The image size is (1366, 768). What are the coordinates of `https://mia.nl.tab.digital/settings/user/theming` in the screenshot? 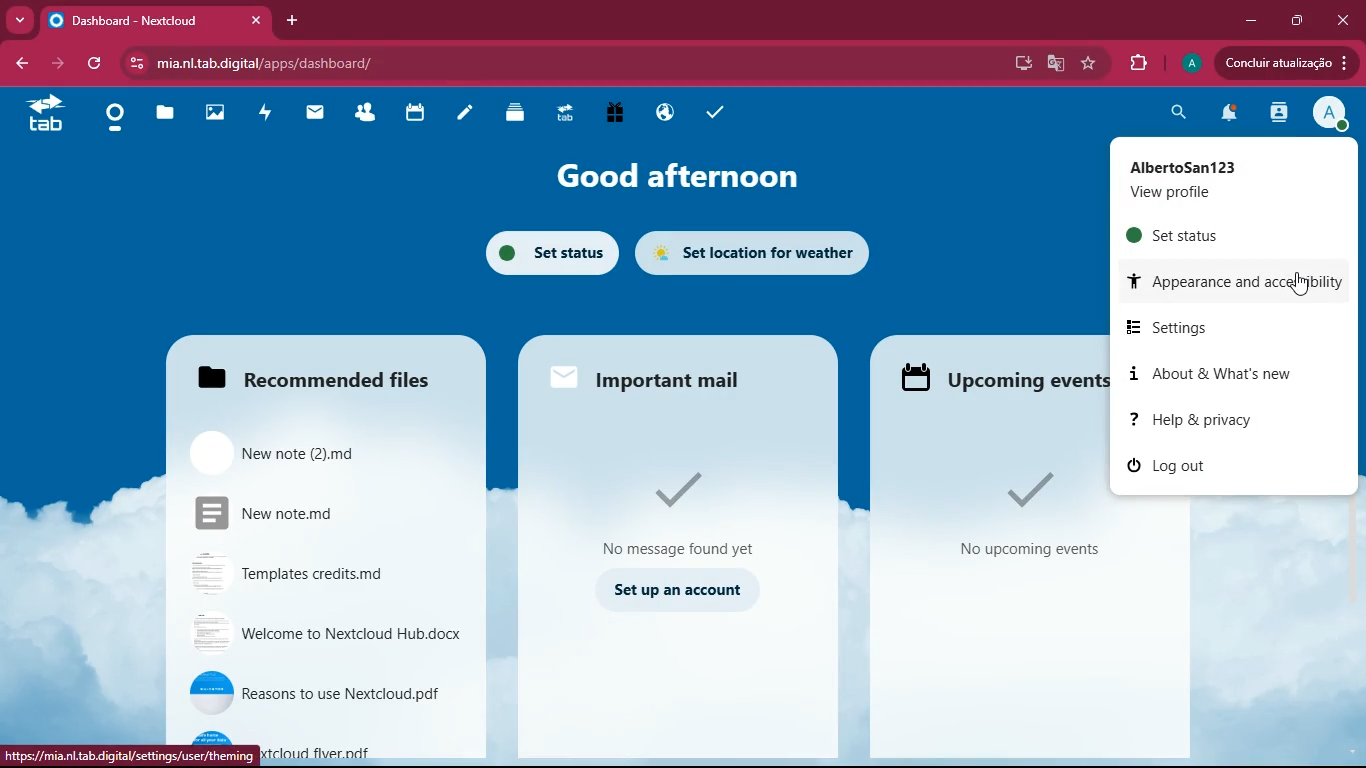 It's located at (127, 757).